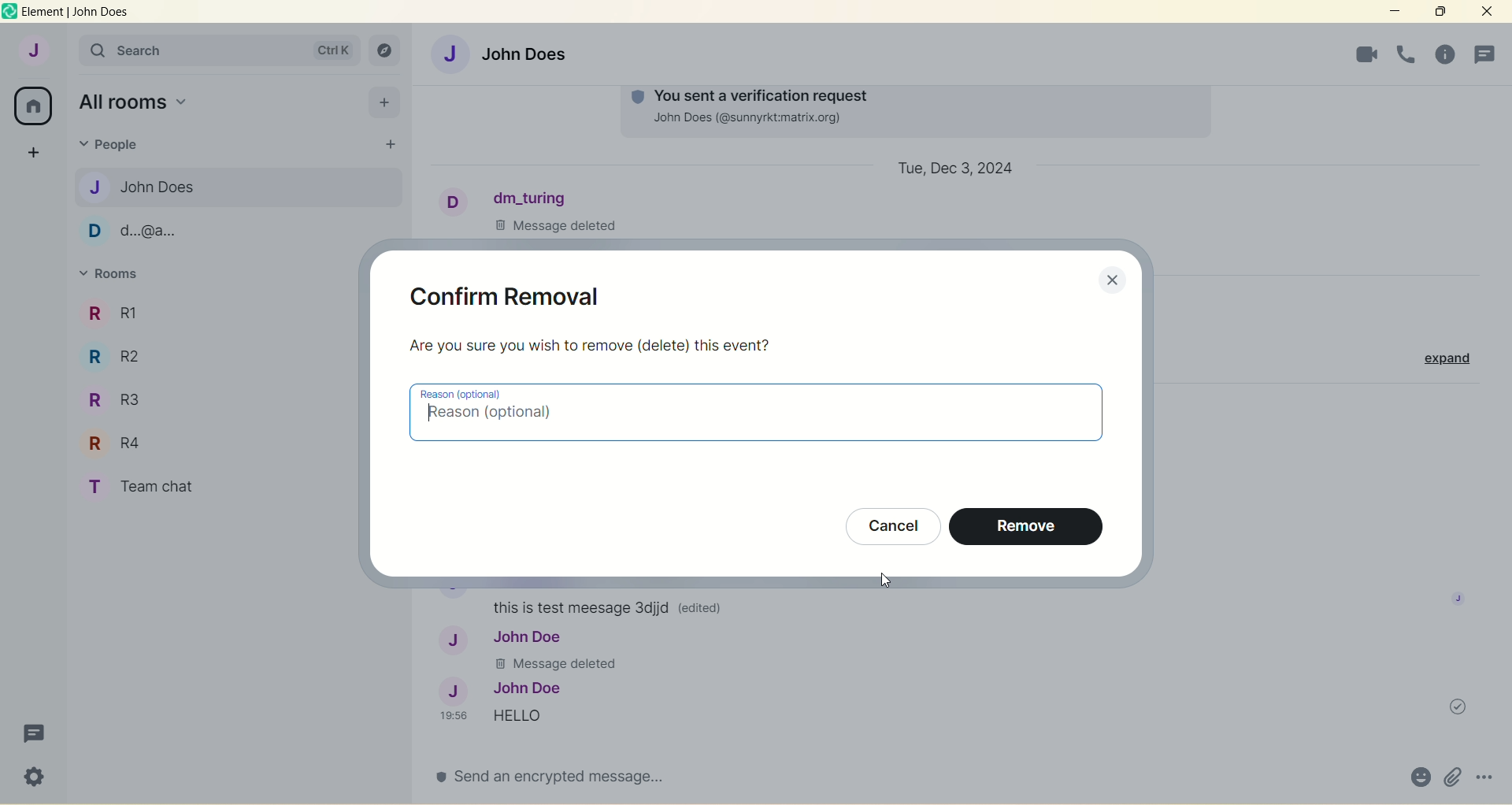 The width and height of the screenshot is (1512, 805). What do you see at coordinates (591, 345) in the screenshot?
I see `Are you sure you wish to remove (delete) this event?` at bounding box center [591, 345].